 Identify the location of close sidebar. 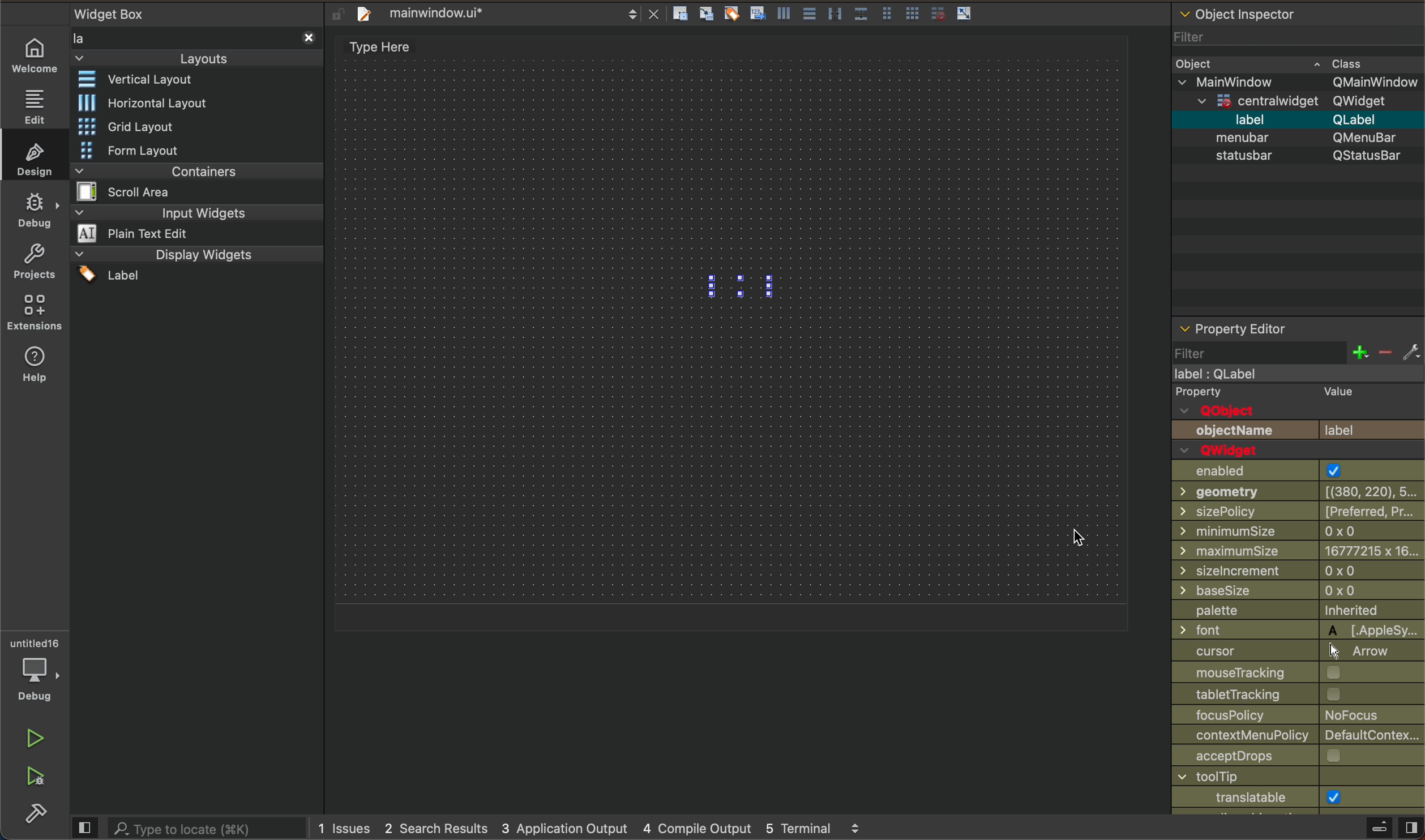
(1384, 828).